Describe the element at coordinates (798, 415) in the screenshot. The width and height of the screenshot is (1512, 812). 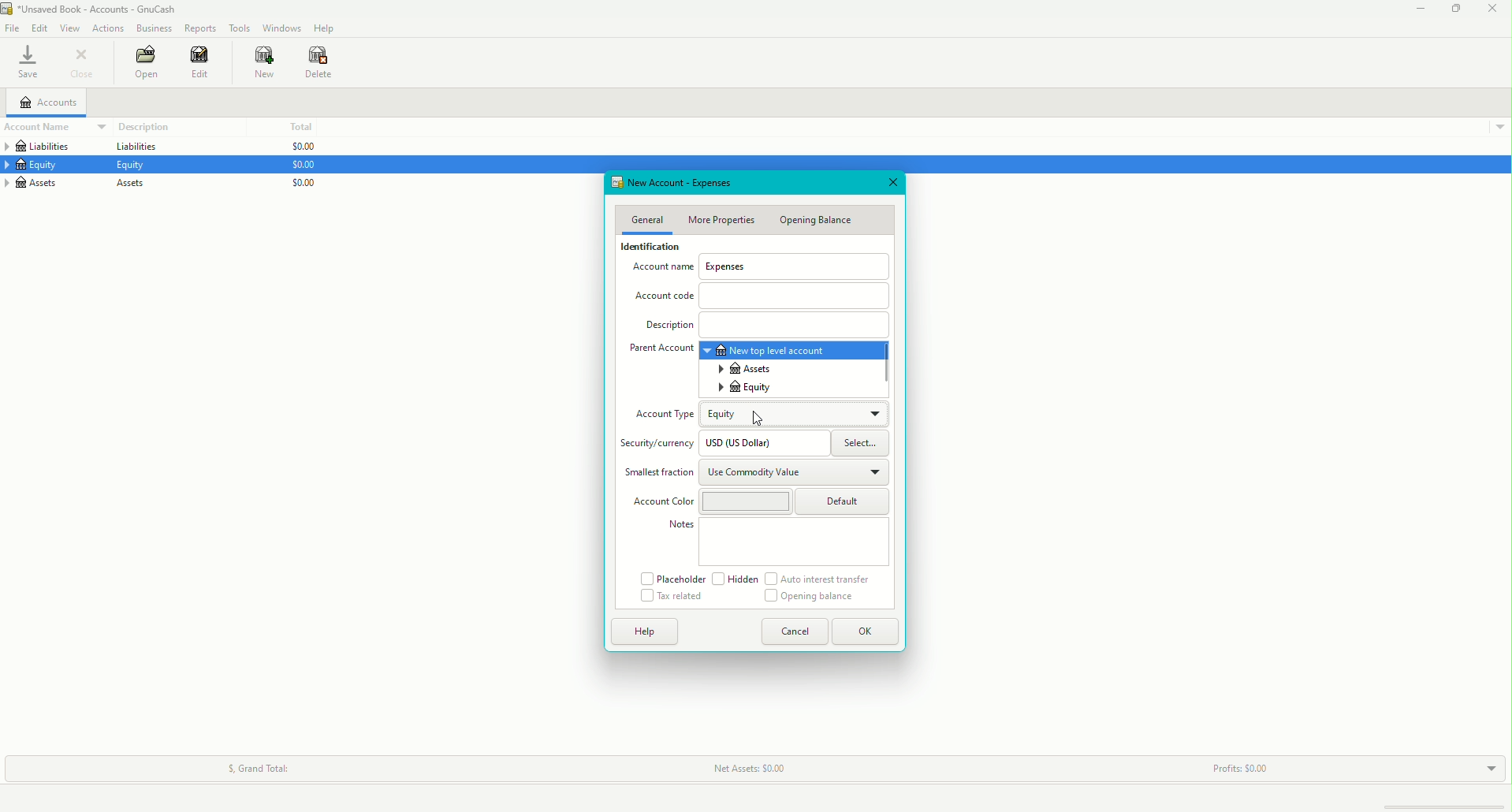
I see `Equity` at that location.